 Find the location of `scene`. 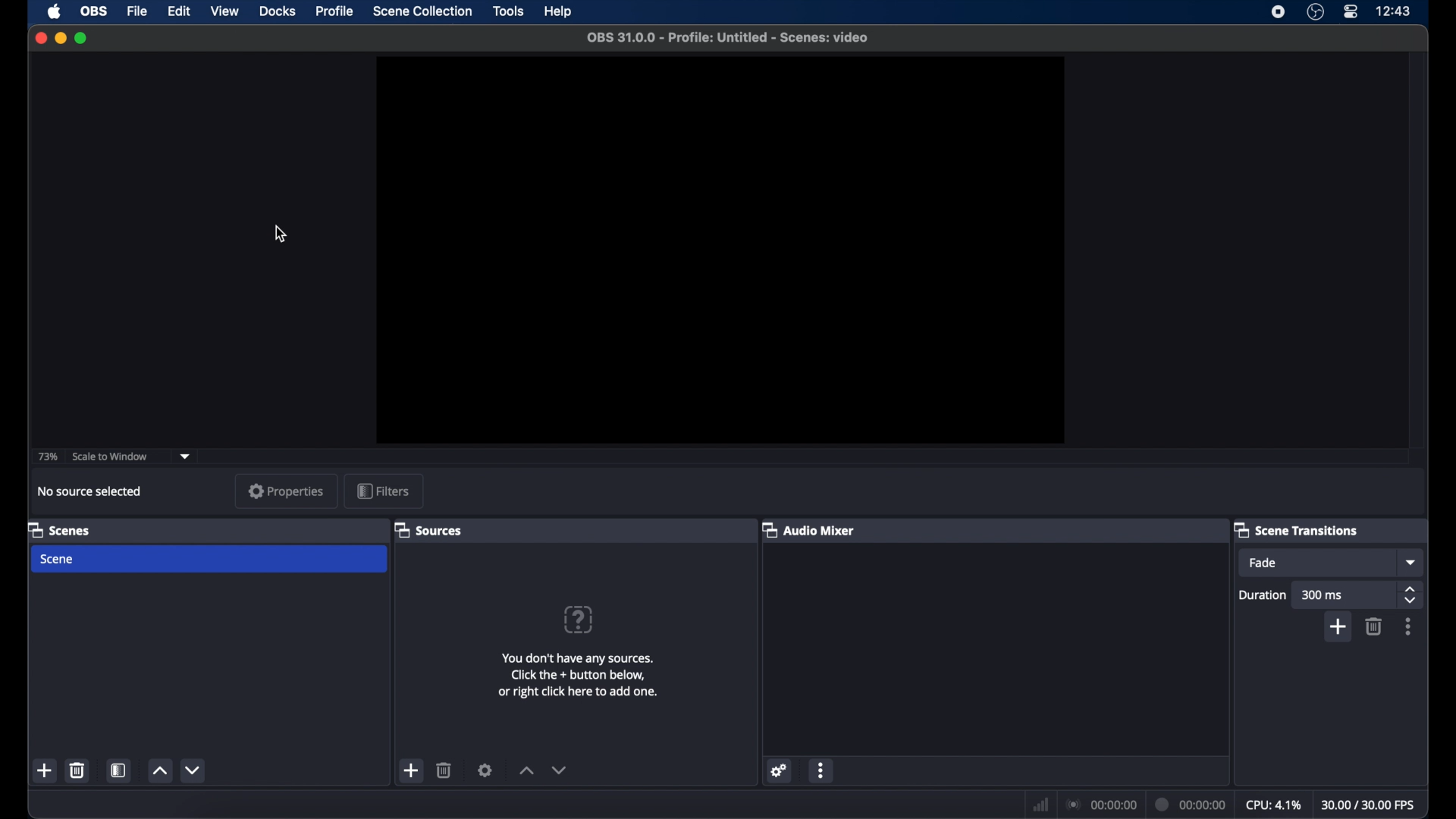

scene is located at coordinates (58, 560).